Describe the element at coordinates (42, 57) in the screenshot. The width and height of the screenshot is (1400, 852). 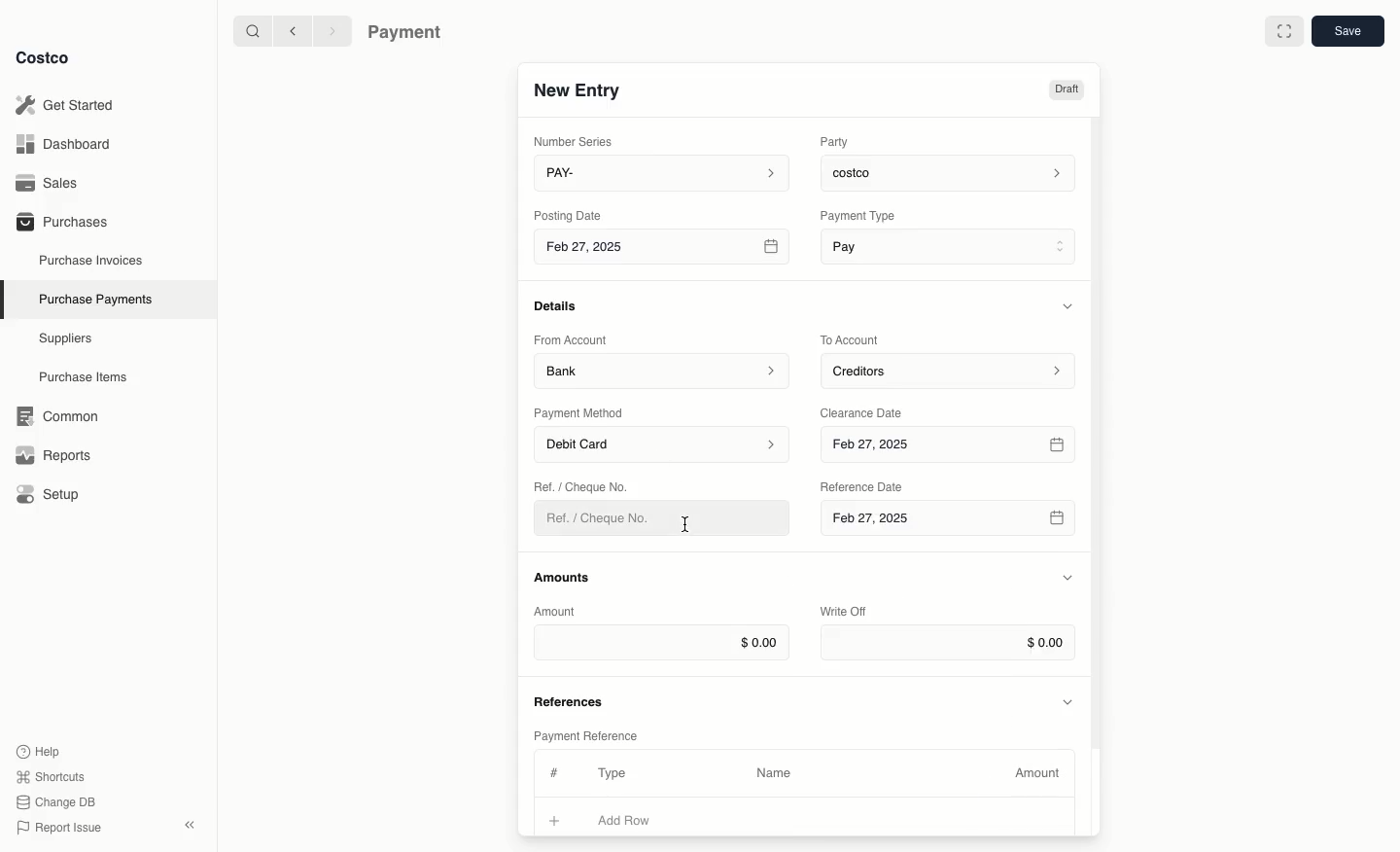
I see `Costco` at that location.